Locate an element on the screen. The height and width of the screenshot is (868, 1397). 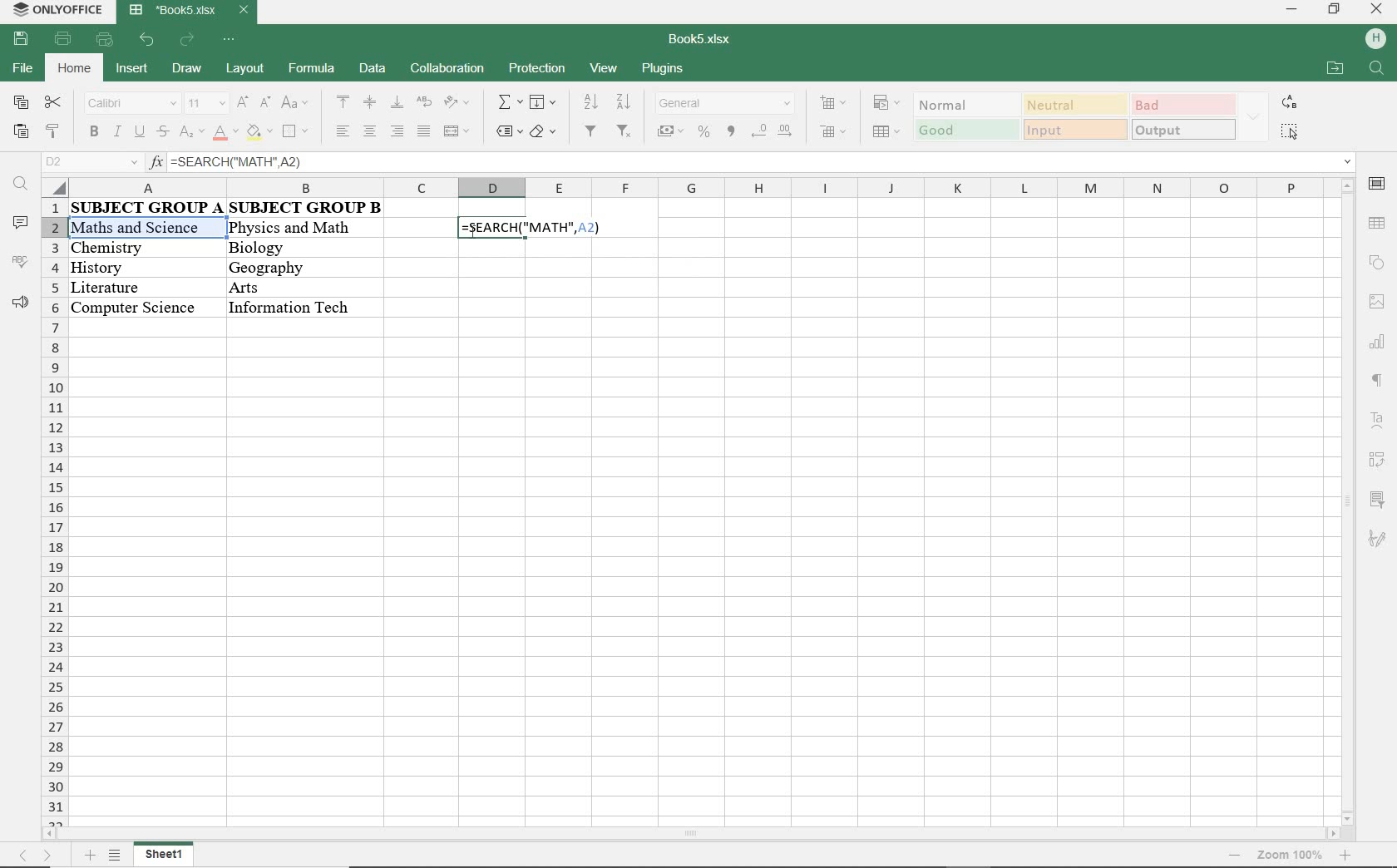
align top is located at coordinates (343, 101).